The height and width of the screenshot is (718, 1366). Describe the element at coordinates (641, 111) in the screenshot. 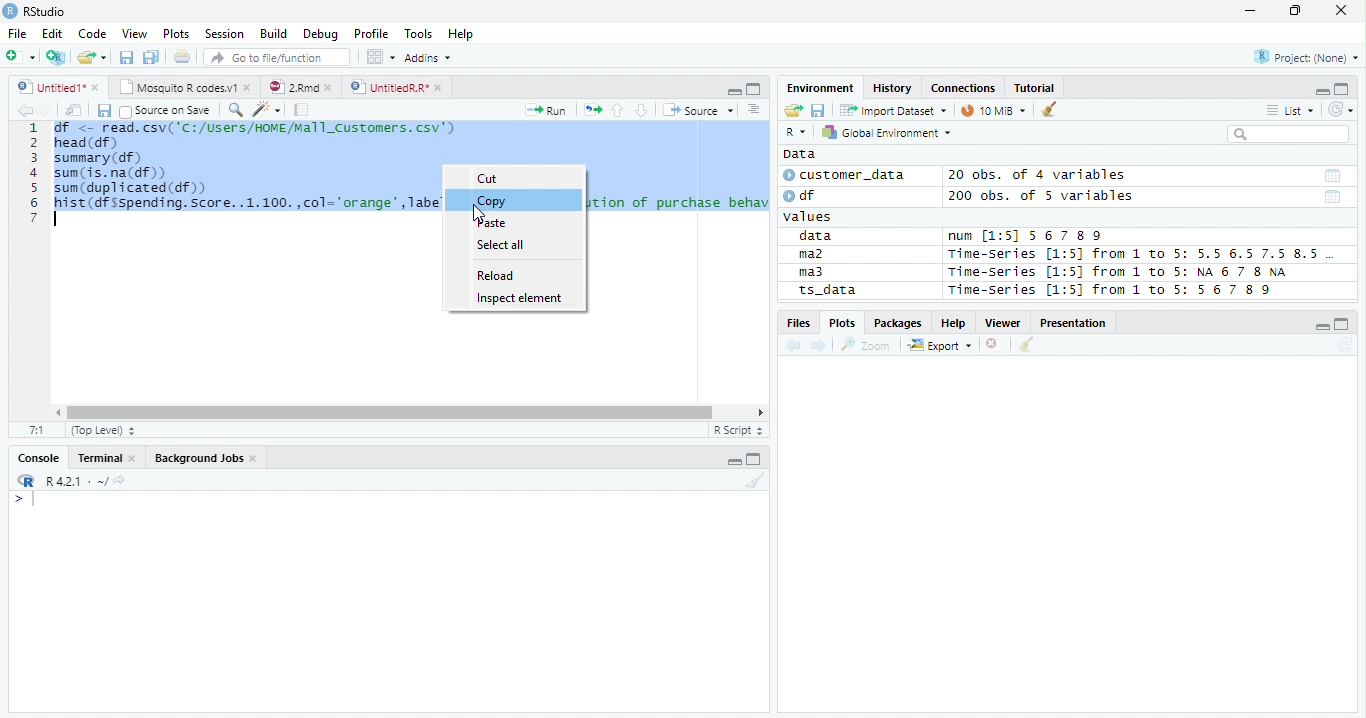

I see `Down` at that location.